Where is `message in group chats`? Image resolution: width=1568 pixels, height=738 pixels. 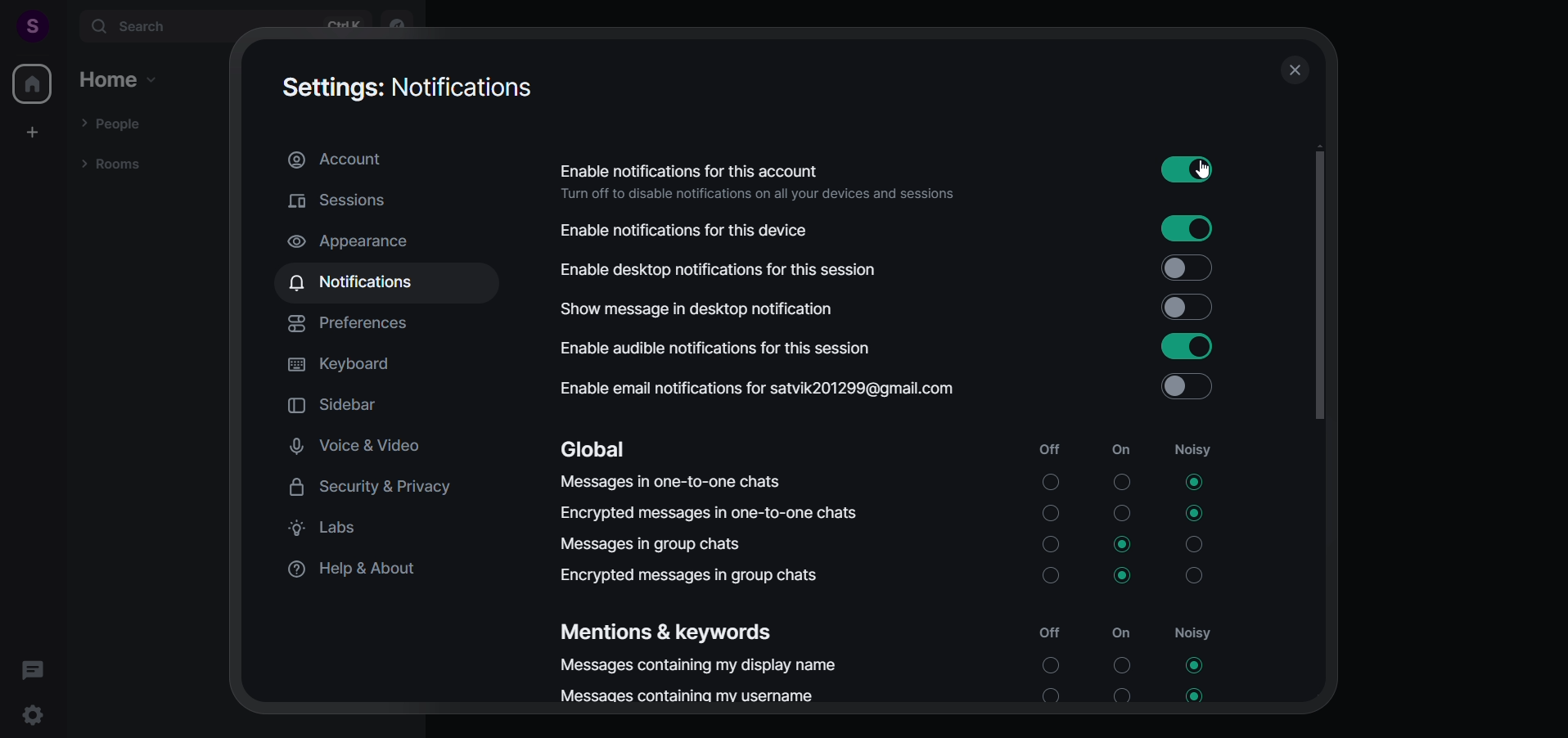 message in group chats is located at coordinates (898, 545).